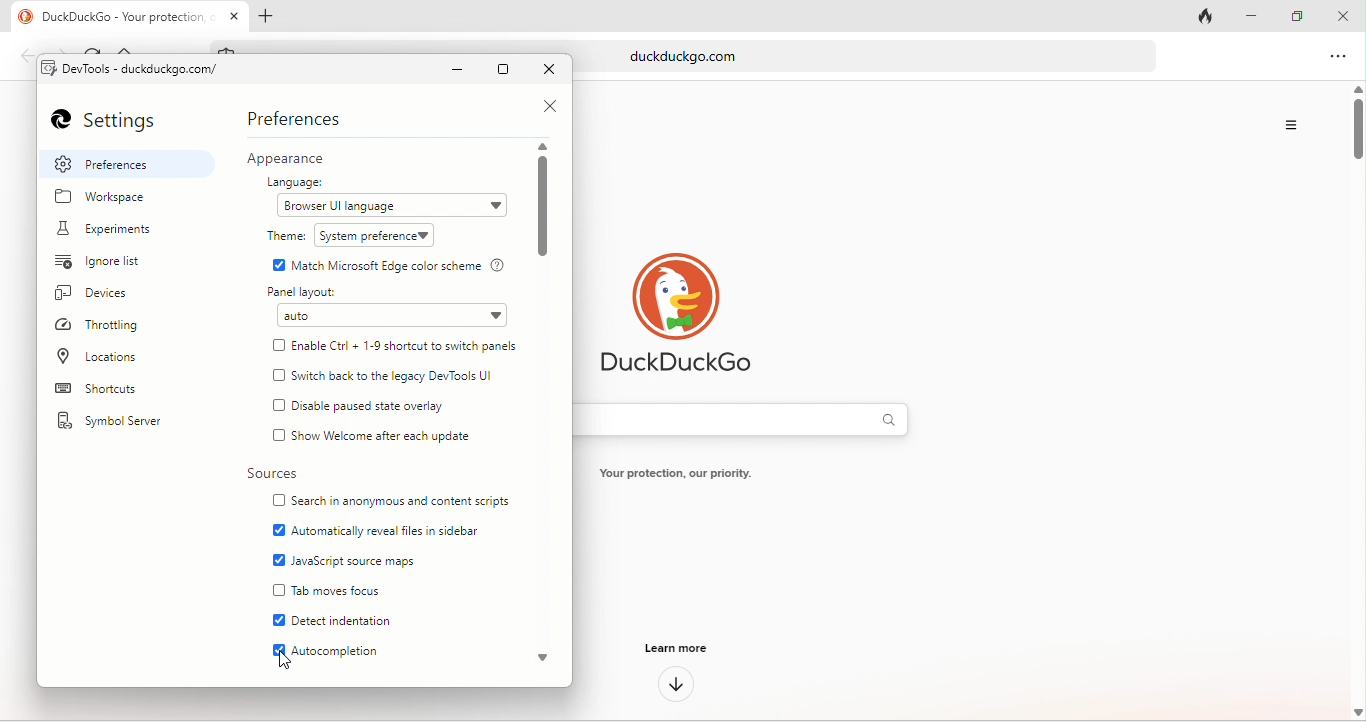 This screenshot has height=722, width=1366. Describe the element at coordinates (116, 122) in the screenshot. I see `settings` at that location.